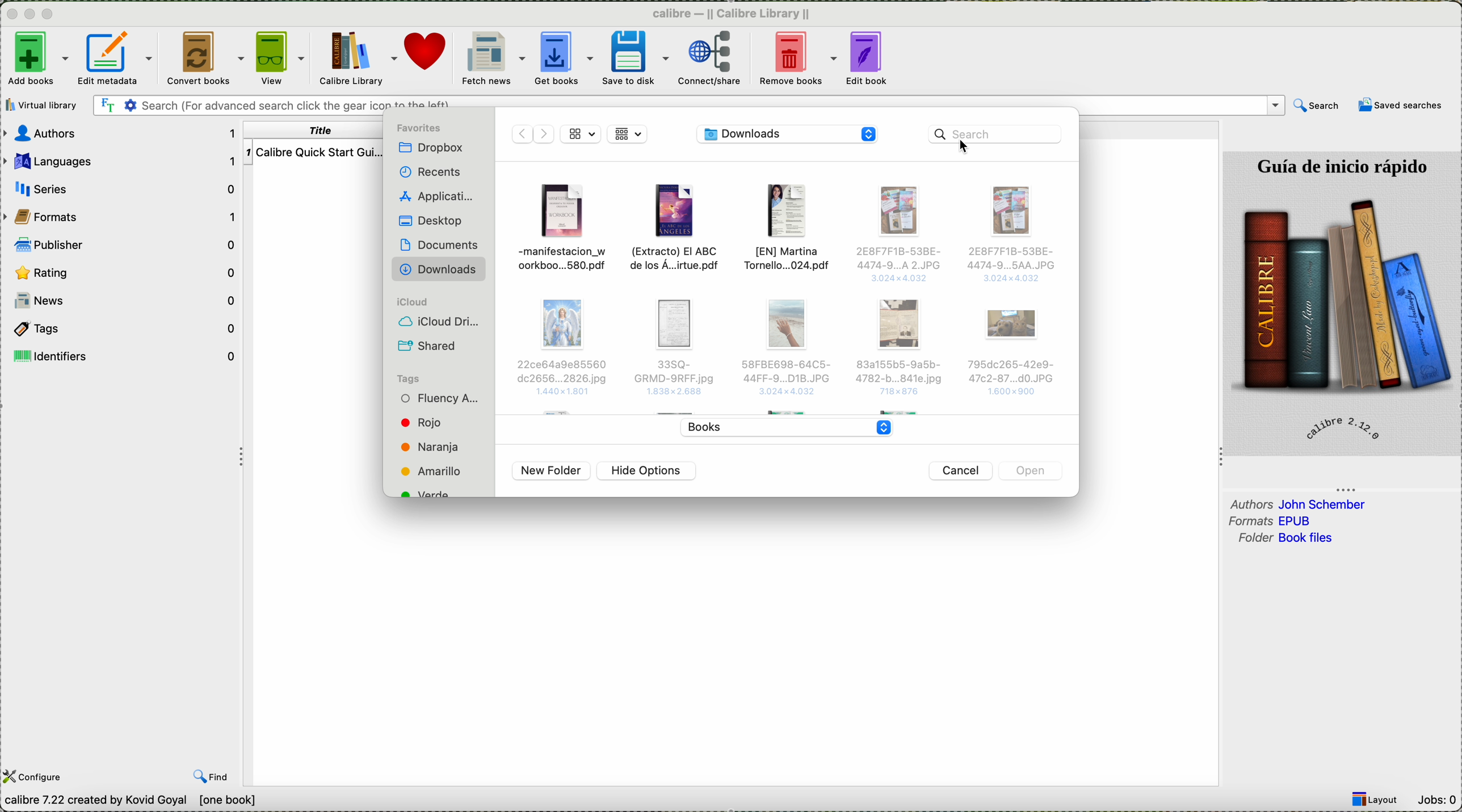 Image resolution: width=1462 pixels, height=812 pixels. Describe the element at coordinates (792, 134) in the screenshot. I see `location` at that location.